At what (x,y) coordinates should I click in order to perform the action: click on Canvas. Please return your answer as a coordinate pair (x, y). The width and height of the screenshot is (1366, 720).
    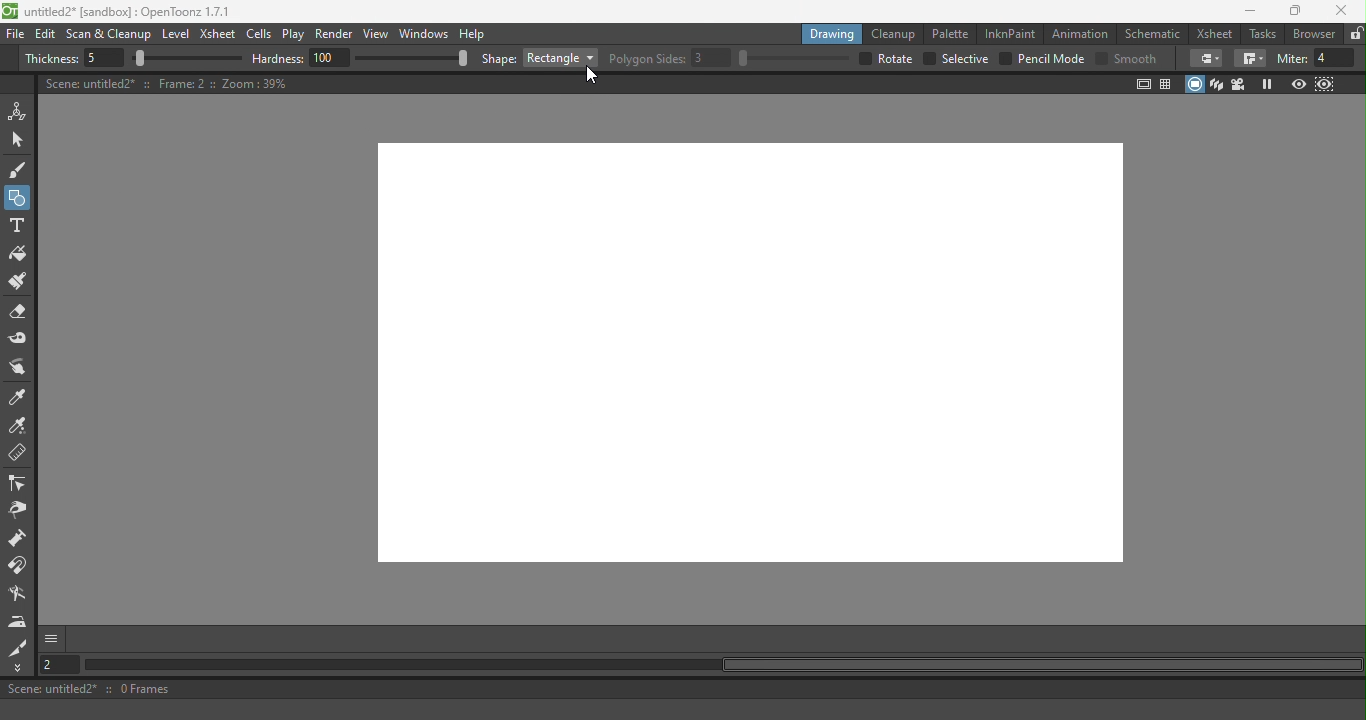
    Looking at the image, I should click on (731, 347).